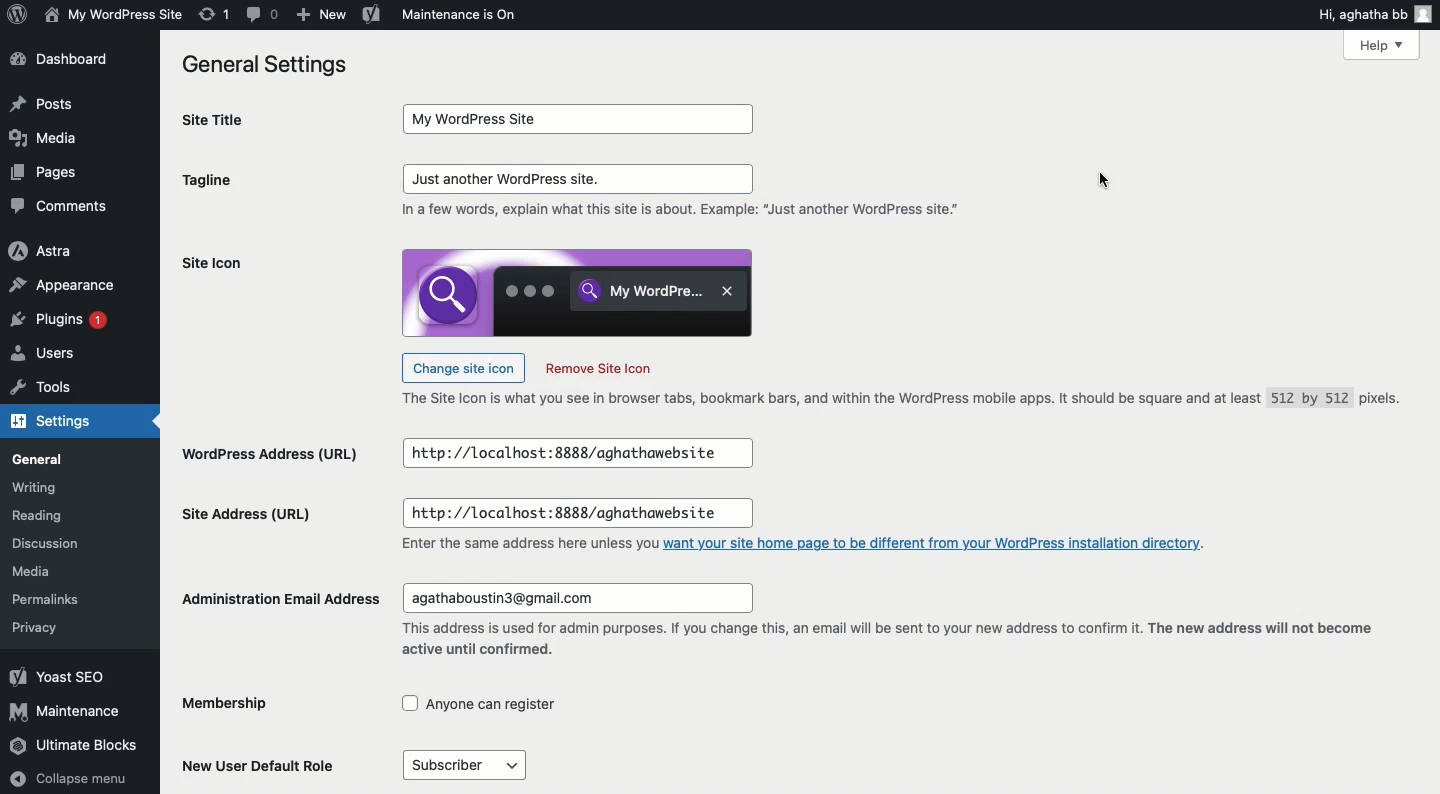 This screenshot has width=1440, height=794. Describe the element at coordinates (480, 704) in the screenshot. I see `checkbox` at that location.